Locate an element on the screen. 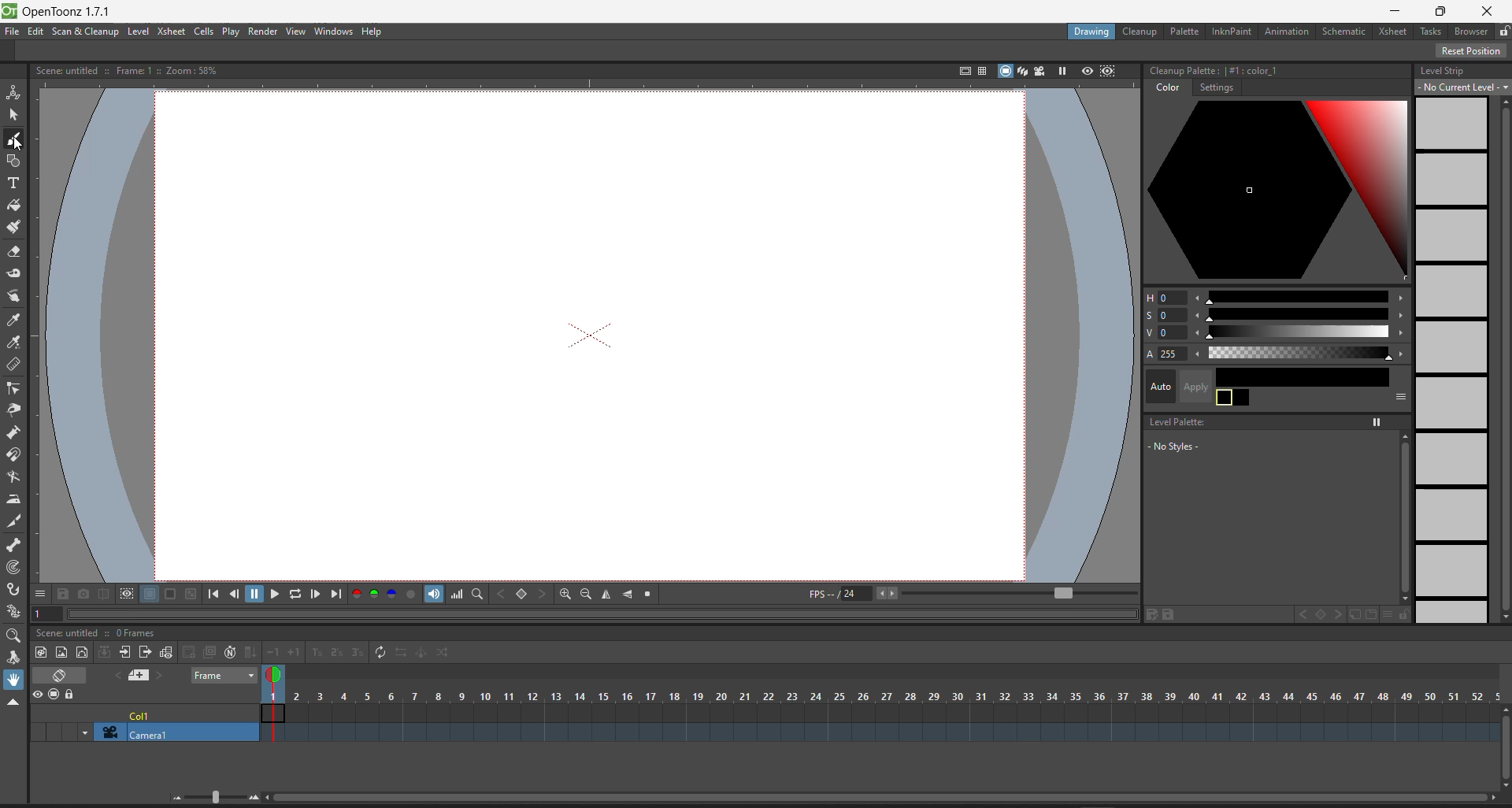  control paint editor tool is located at coordinates (17, 388).